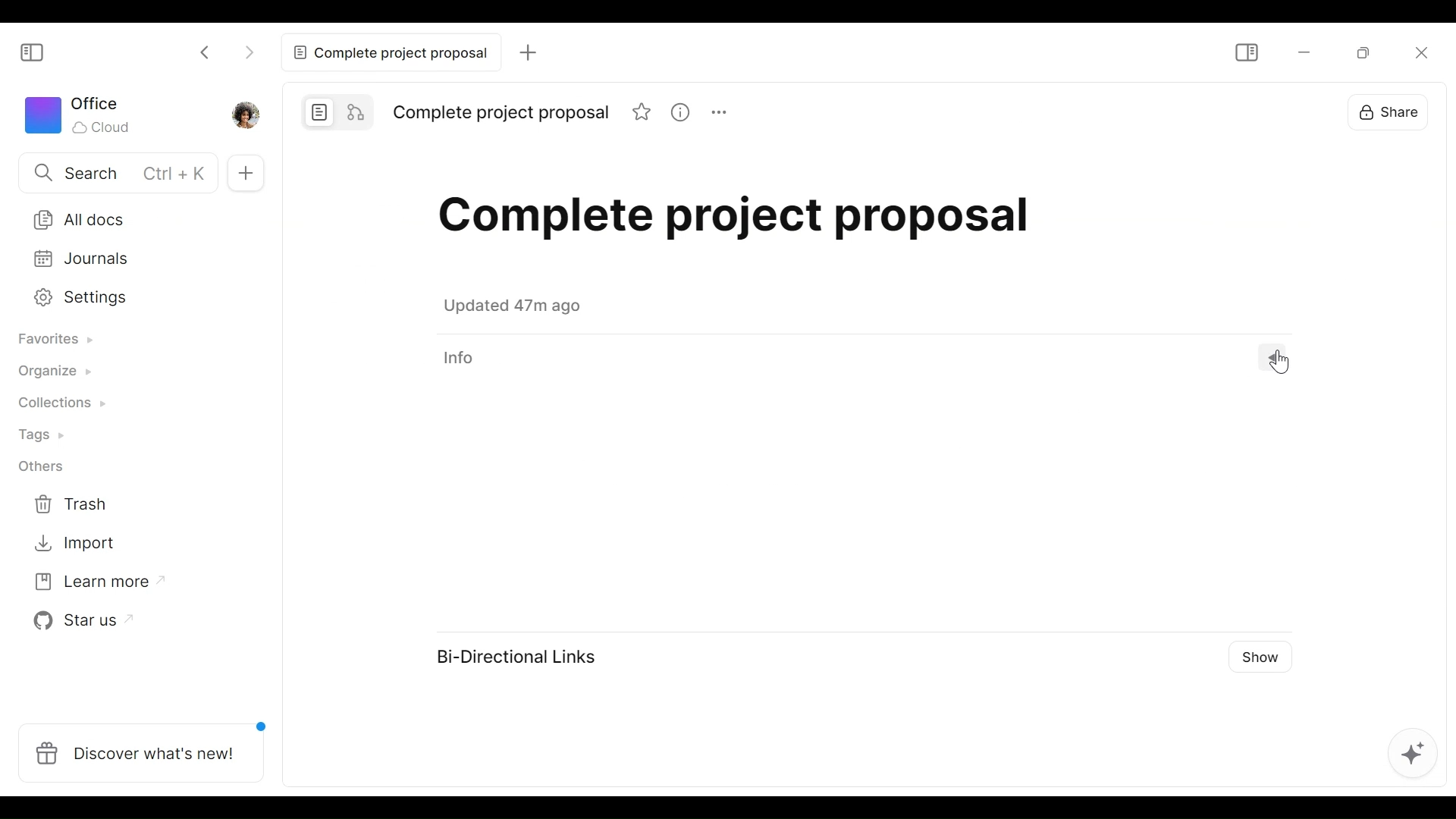 This screenshot has width=1456, height=819. I want to click on Profile photo, so click(244, 115).